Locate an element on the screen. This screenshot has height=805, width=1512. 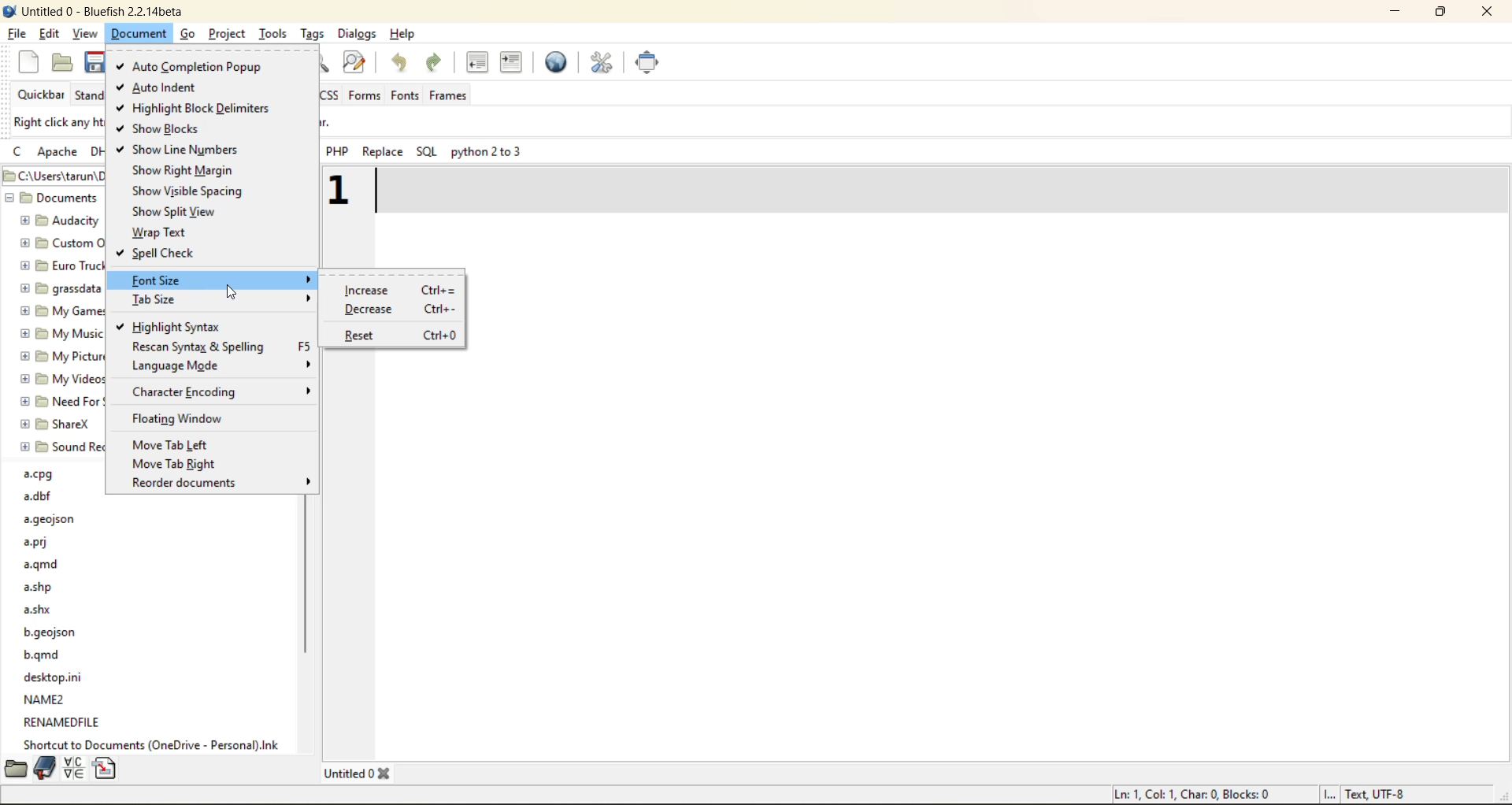
new is located at coordinates (28, 59).